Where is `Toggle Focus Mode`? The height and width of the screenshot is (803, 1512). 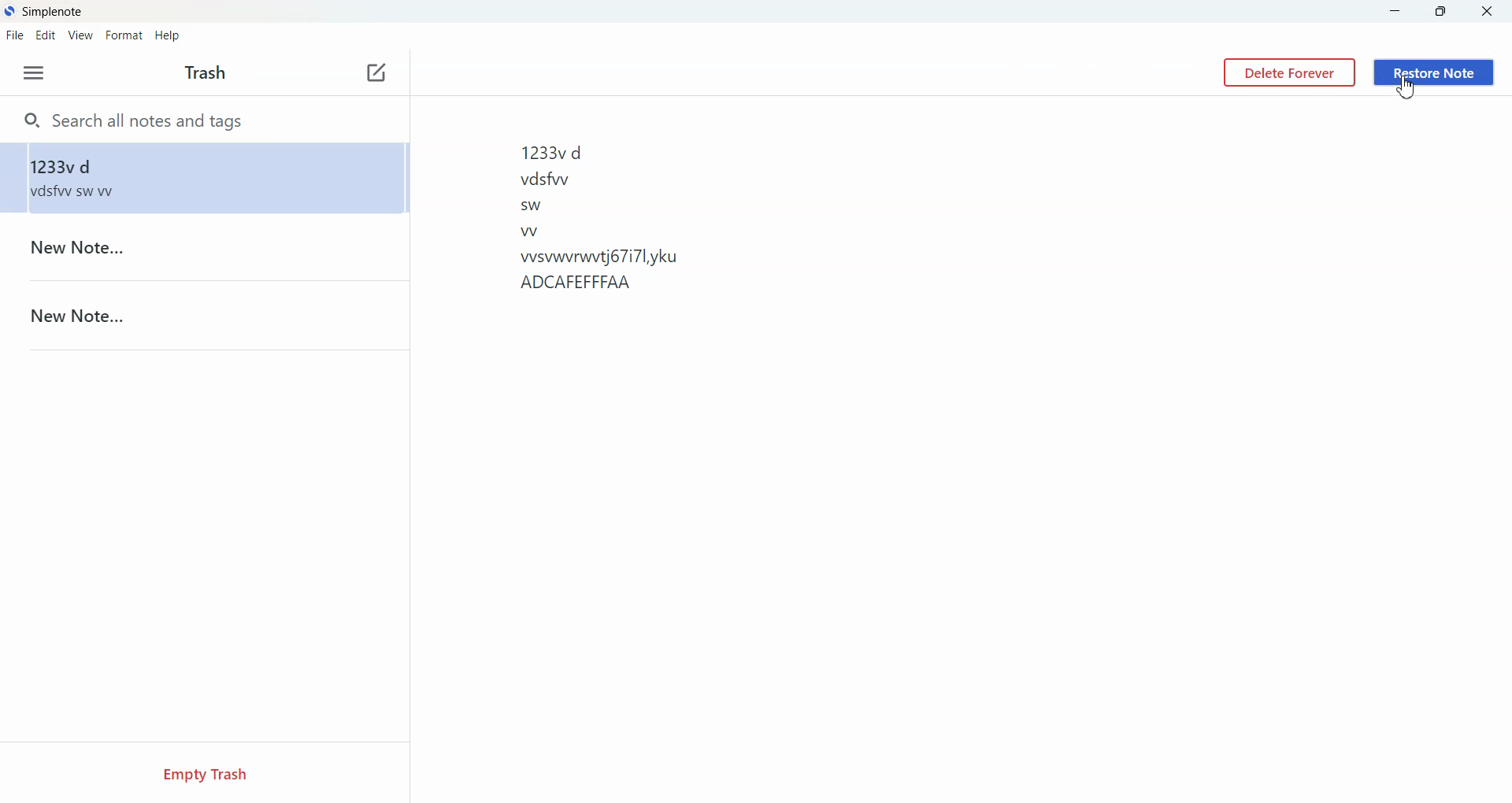 Toggle Focus Mode is located at coordinates (443, 74).